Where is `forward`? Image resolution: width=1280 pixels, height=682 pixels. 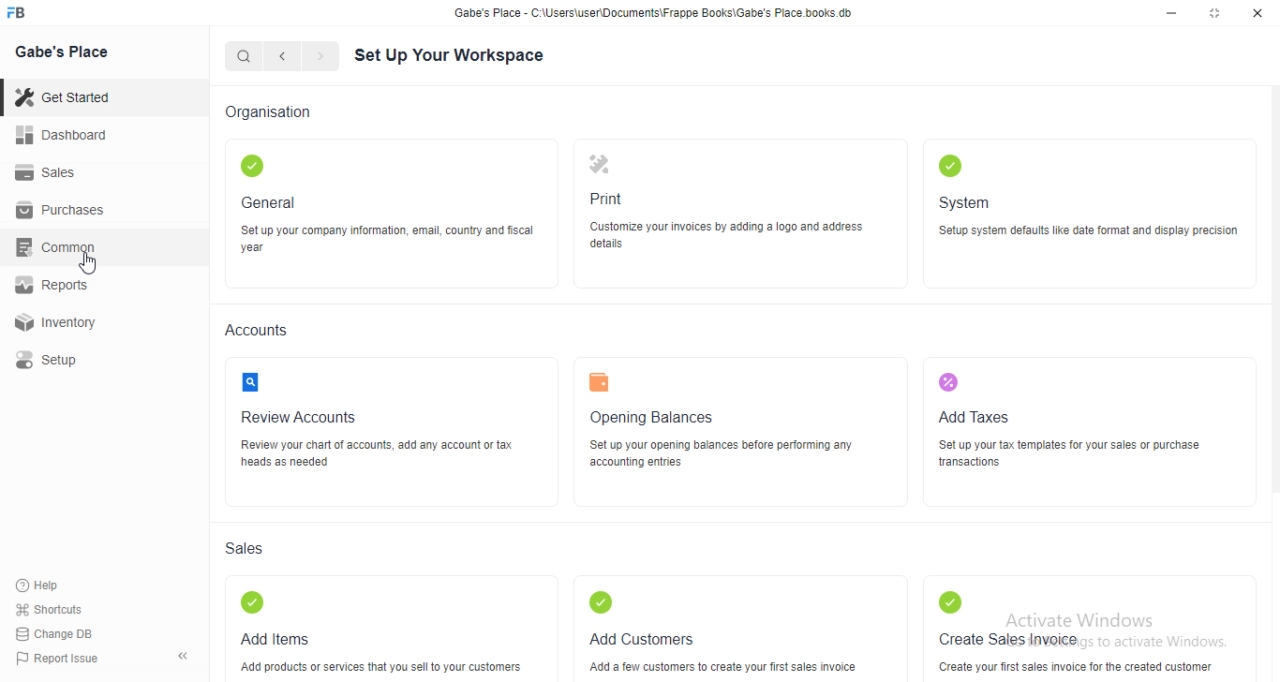
forward is located at coordinates (323, 56).